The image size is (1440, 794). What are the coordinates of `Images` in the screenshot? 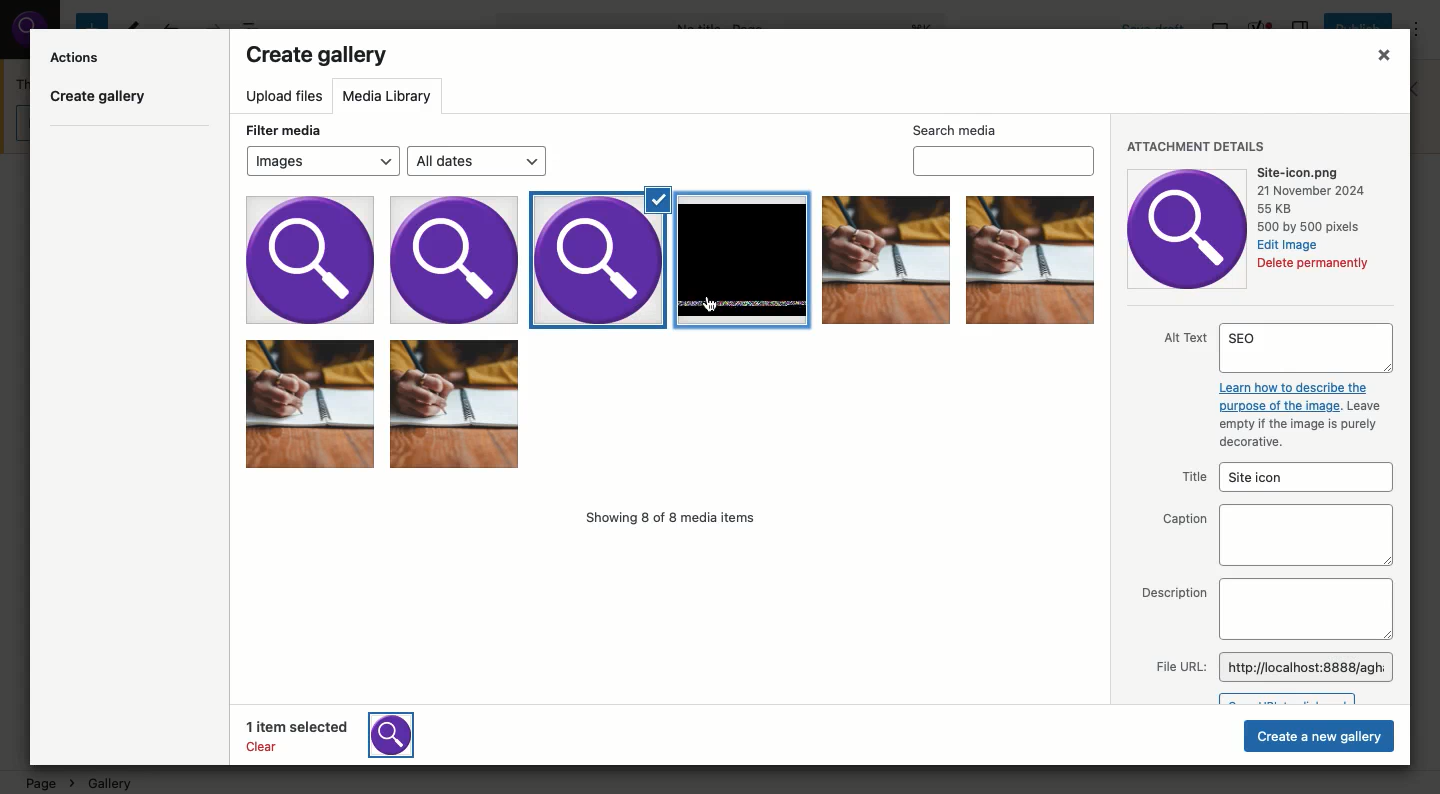 It's located at (884, 261).